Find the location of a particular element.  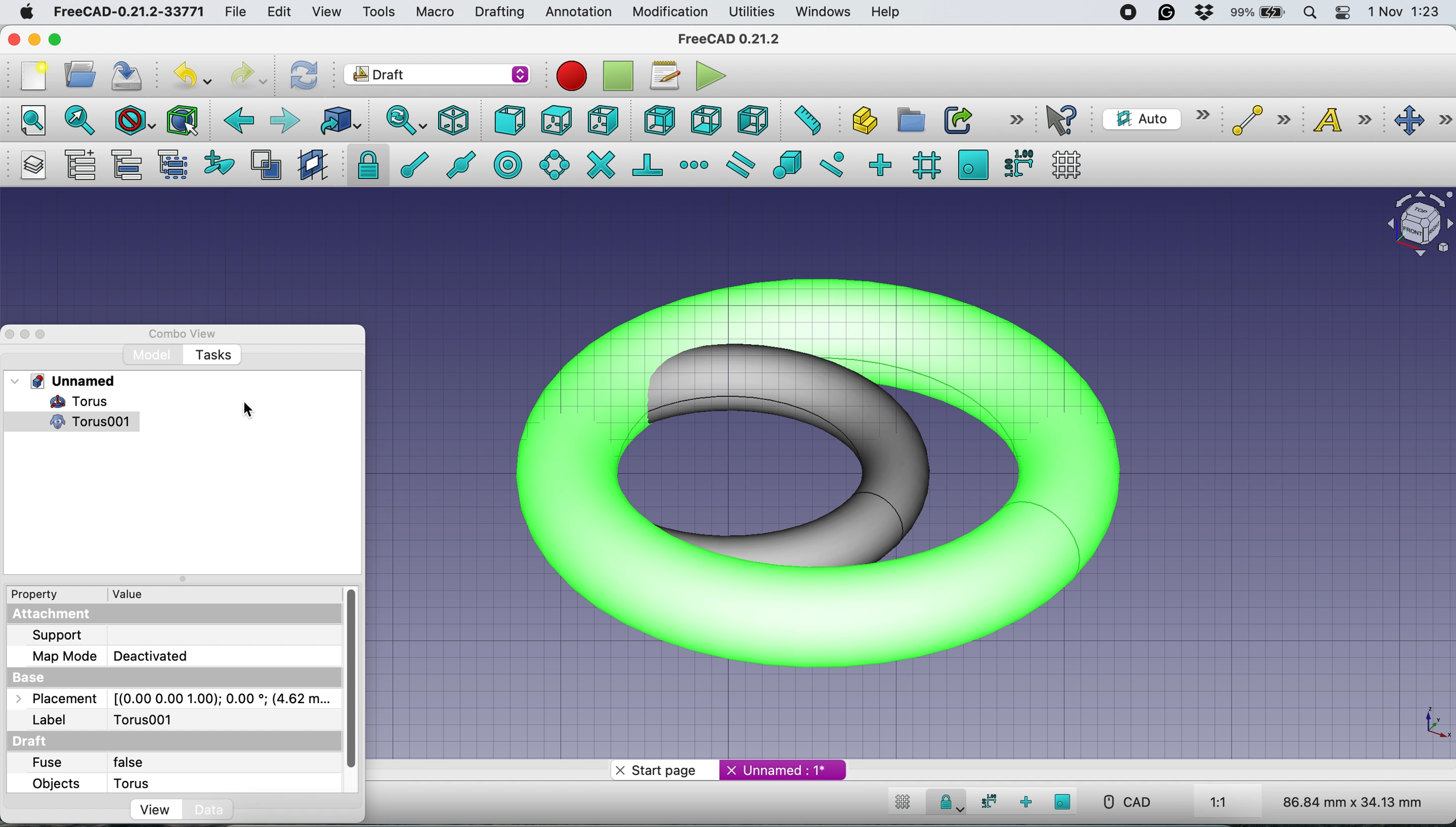

Objects is located at coordinates (53, 785).